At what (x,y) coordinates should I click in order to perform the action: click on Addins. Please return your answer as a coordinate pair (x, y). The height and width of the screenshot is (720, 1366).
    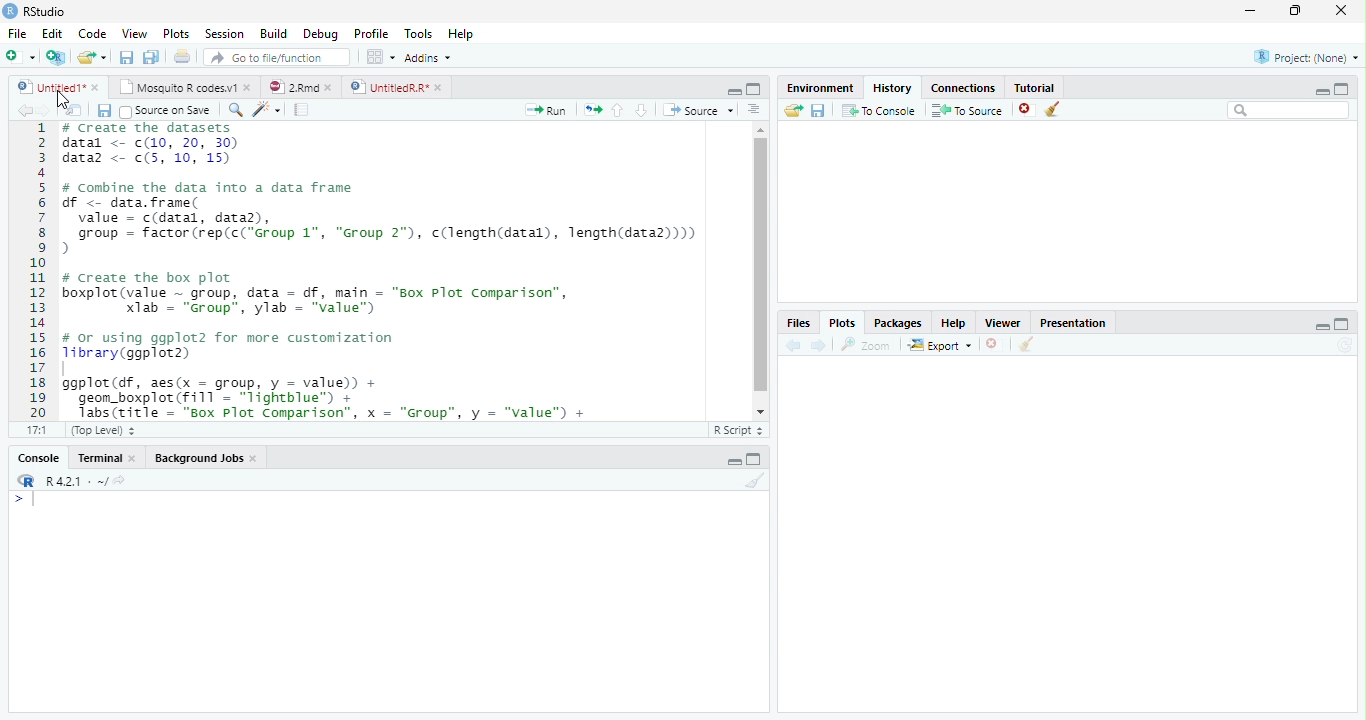
    Looking at the image, I should click on (426, 57).